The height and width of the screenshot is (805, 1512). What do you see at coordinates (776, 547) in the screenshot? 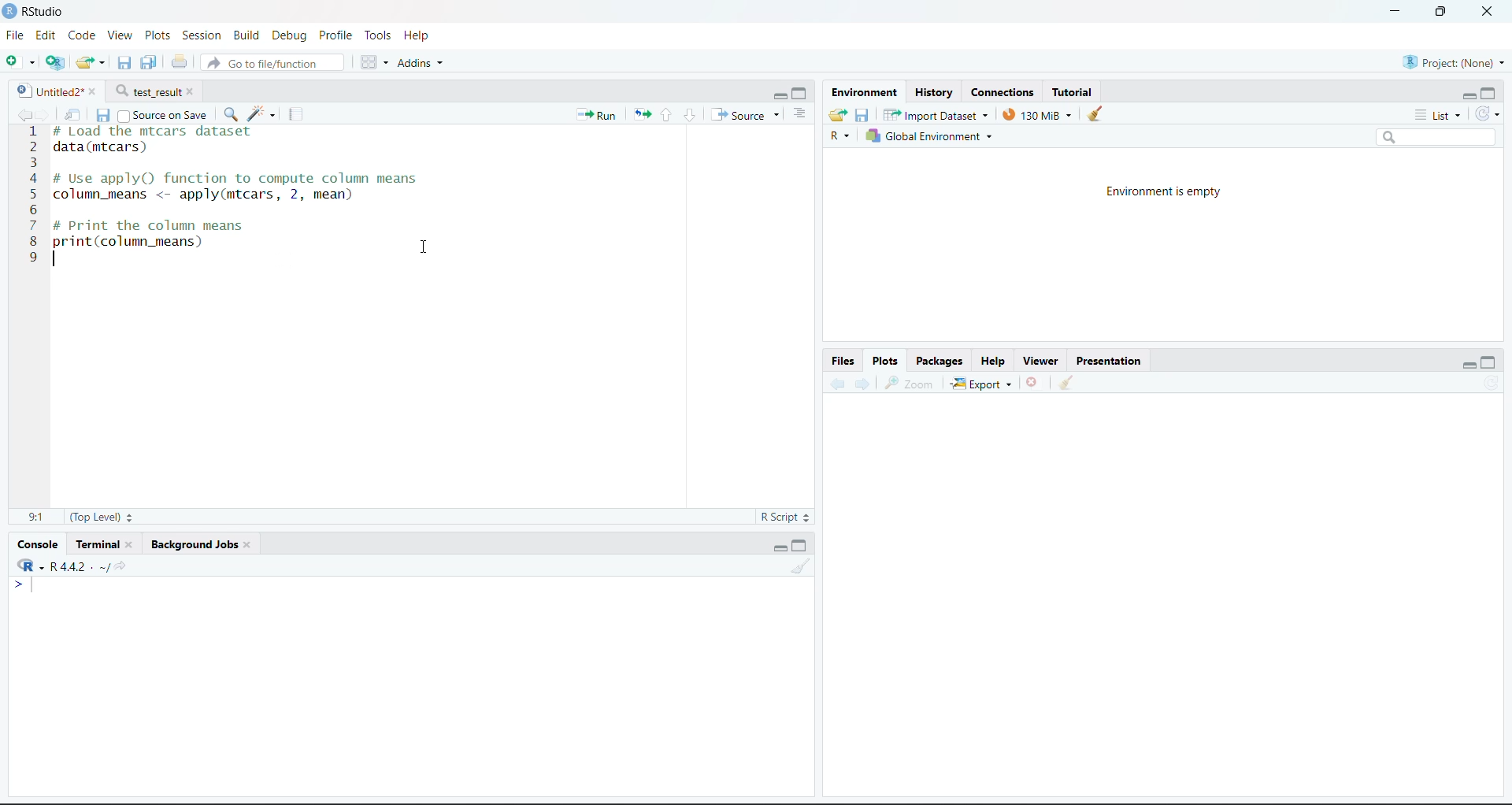
I see `Minimize` at bounding box center [776, 547].